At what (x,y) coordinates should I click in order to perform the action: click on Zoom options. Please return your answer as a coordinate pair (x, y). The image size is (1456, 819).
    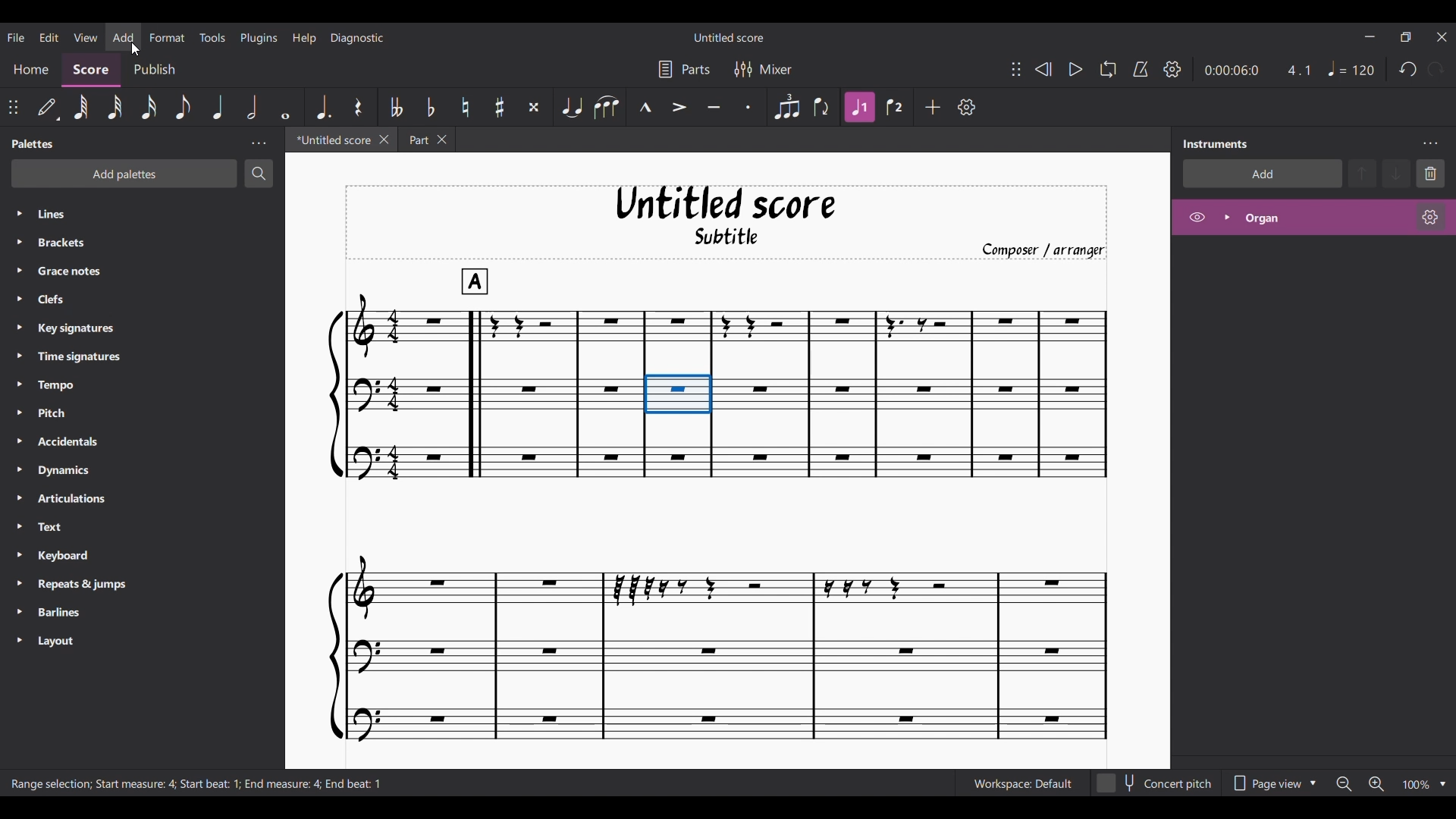
    Looking at the image, I should click on (1443, 784).